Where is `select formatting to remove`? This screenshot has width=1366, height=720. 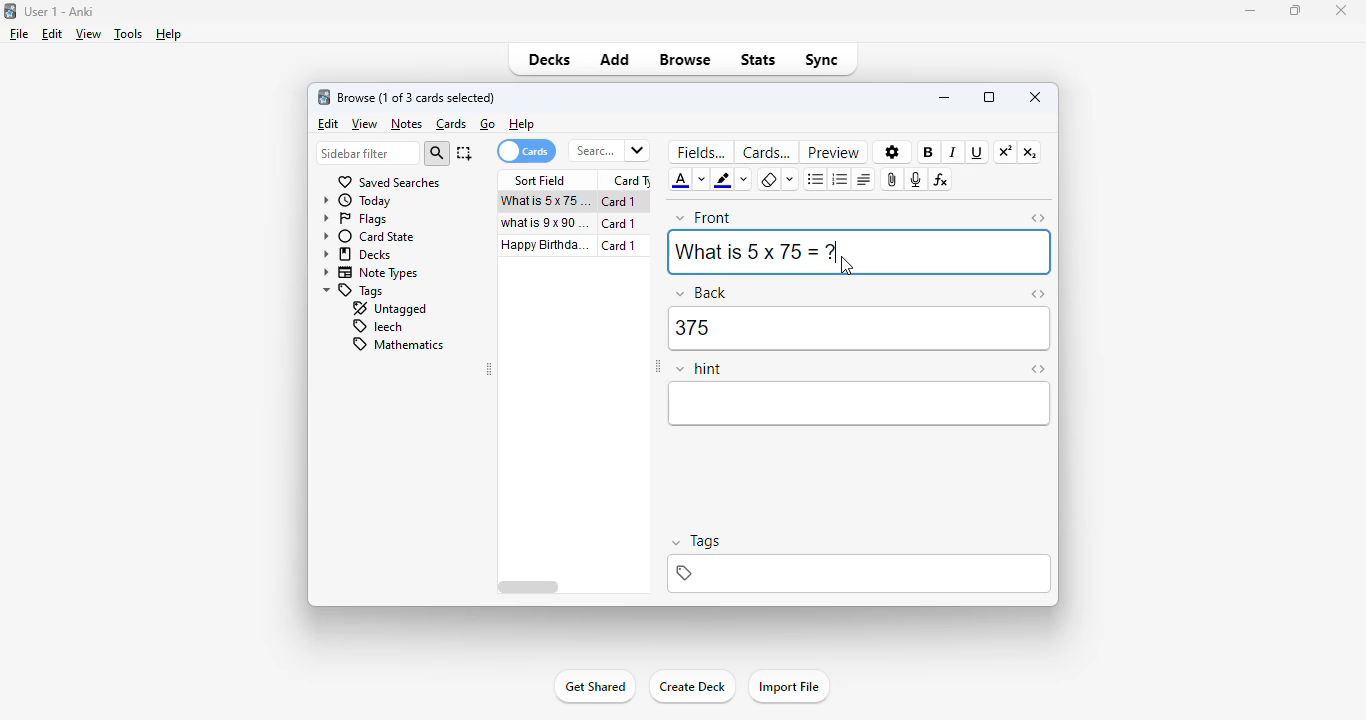 select formatting to remove is located at coordinates (789, 181).